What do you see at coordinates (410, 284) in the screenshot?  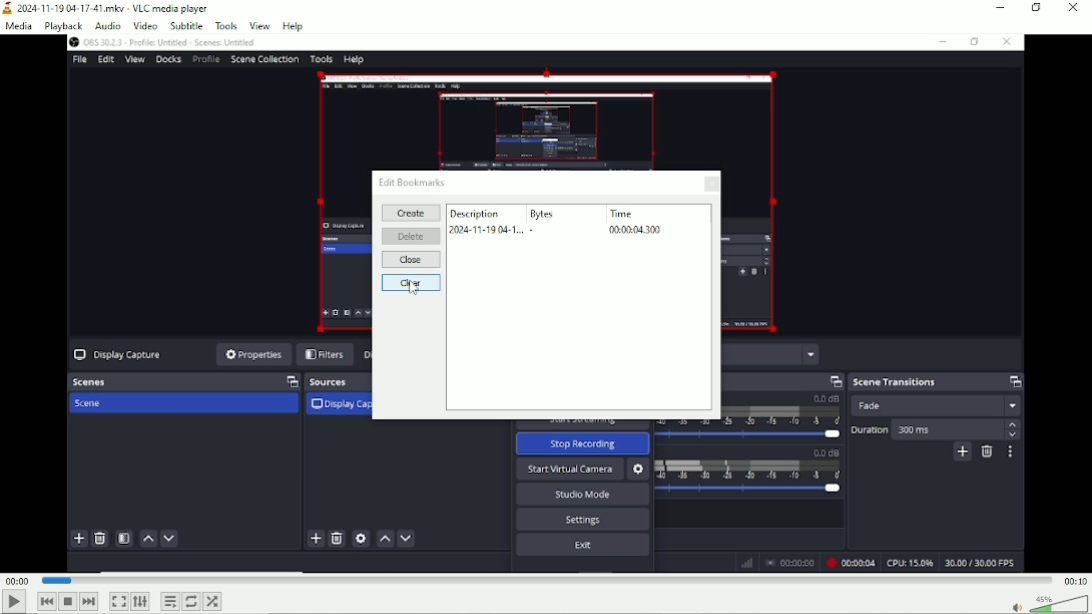 I see `Clear` at bounding box center [410, 284].